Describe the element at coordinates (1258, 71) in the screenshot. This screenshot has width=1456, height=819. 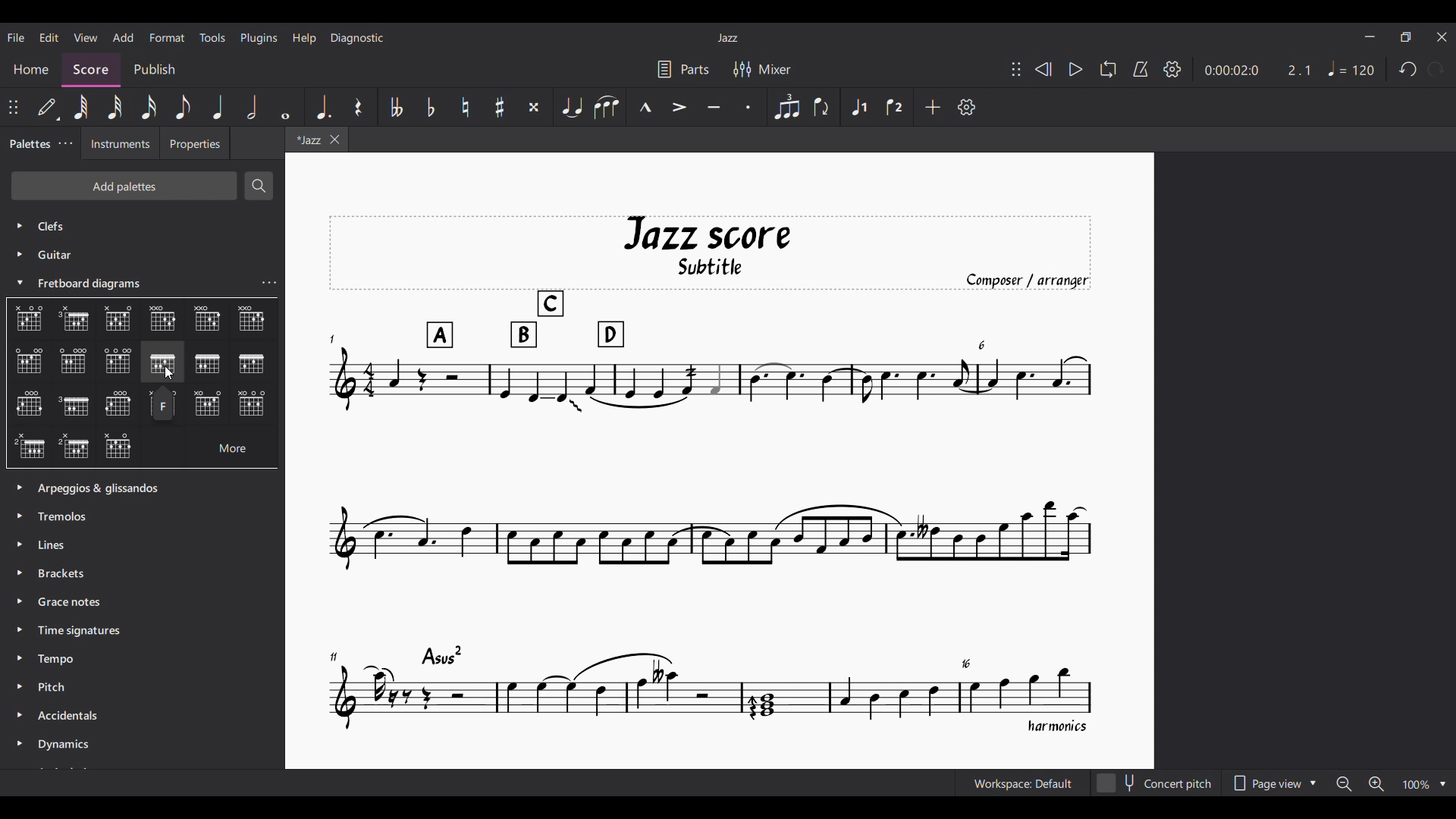
I see `Current duration and ratio` at that location.